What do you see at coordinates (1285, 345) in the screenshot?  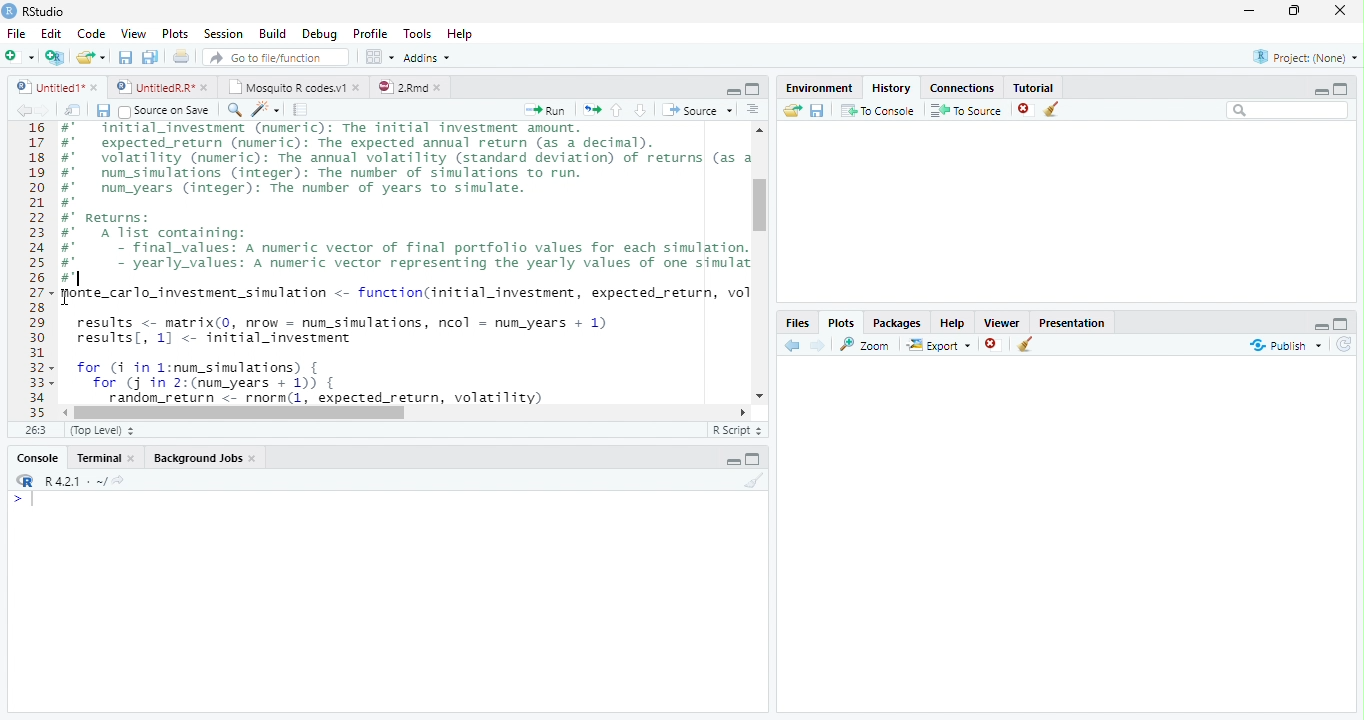 I see `publish` at bounding box center [1285, 345].